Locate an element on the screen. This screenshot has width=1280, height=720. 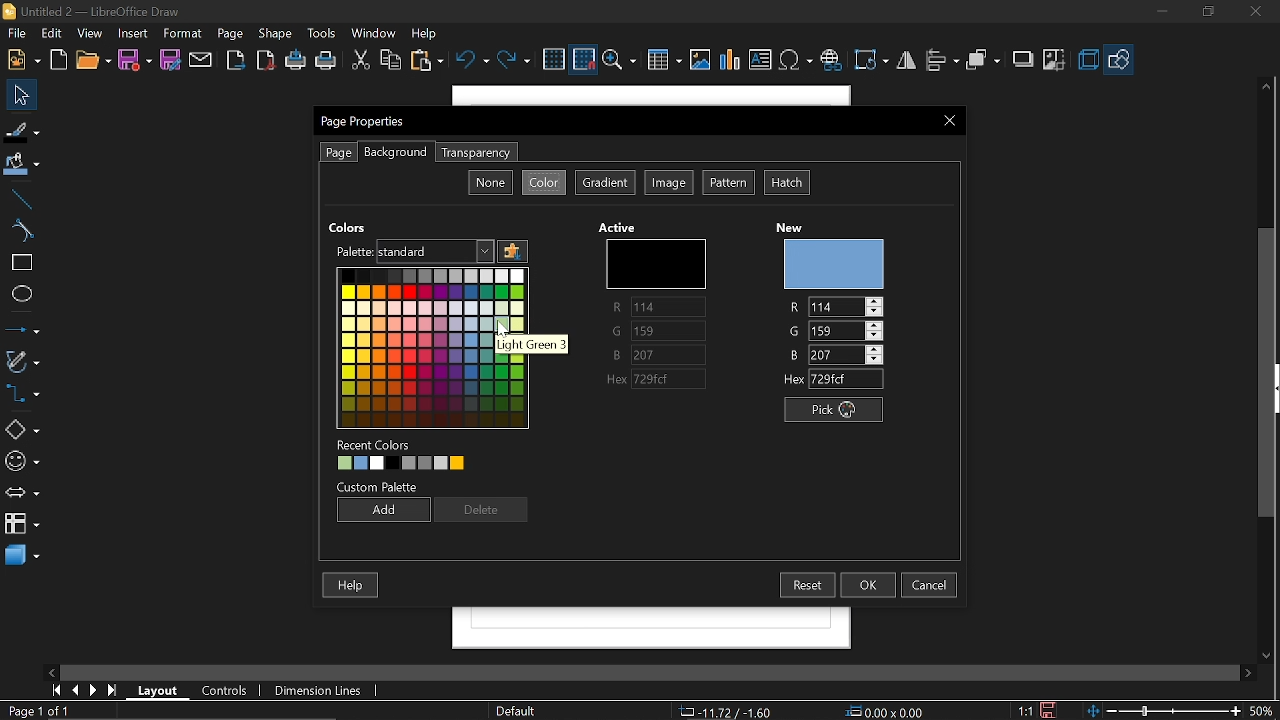
Delete is located at coordinates (482, 511).